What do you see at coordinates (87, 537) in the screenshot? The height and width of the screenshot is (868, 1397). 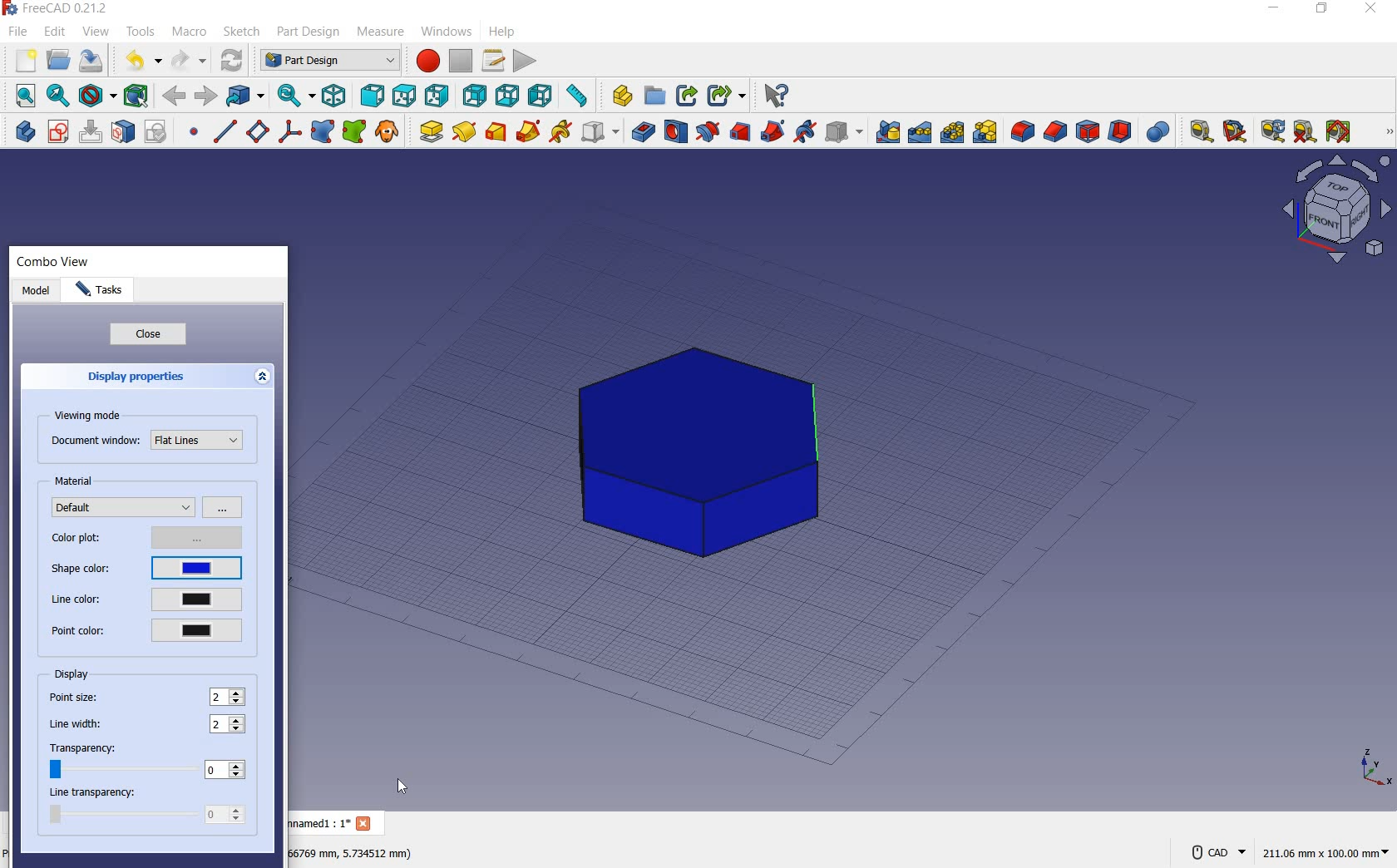 I see `color plot` at bounding box center [87, 537].